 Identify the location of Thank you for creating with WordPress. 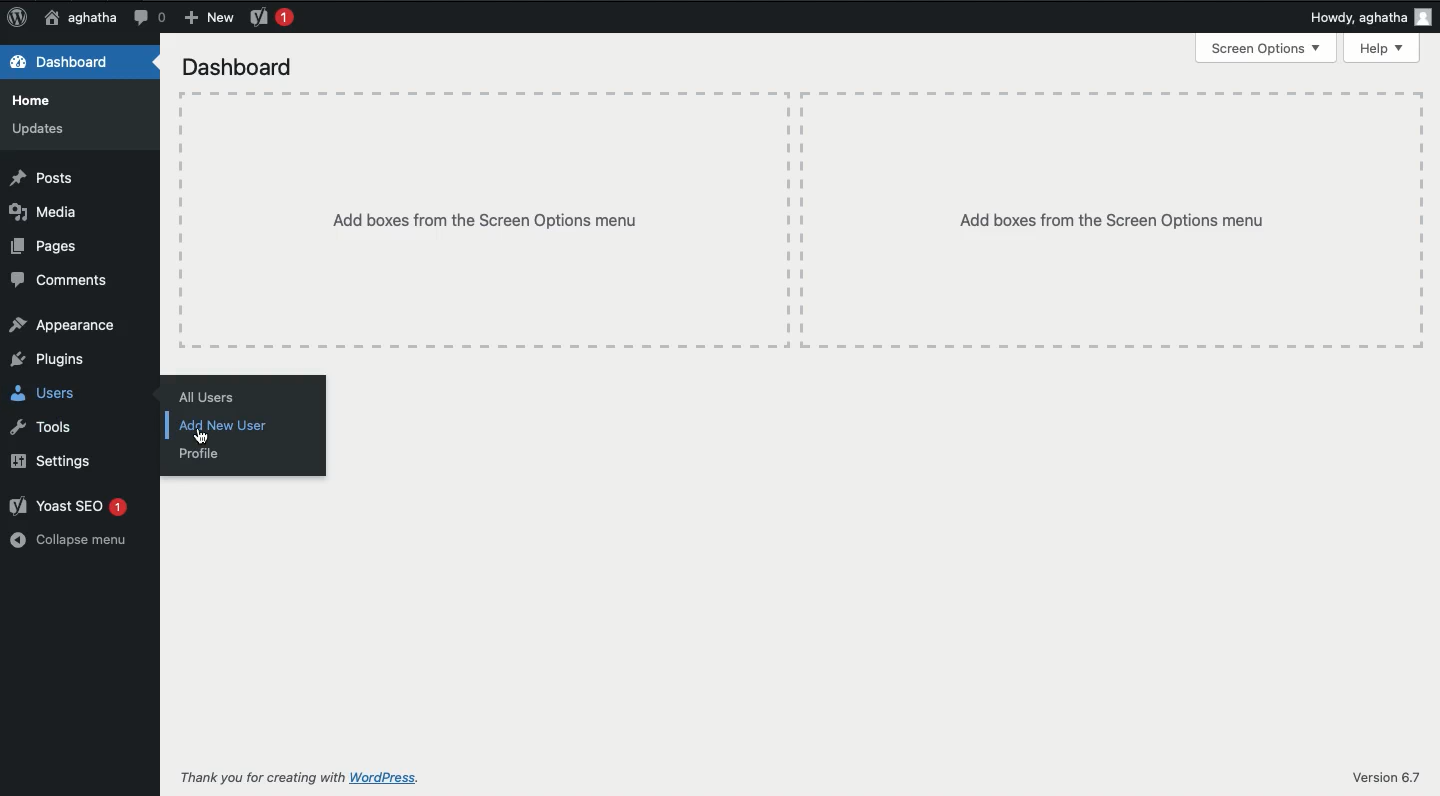
(309, 776).